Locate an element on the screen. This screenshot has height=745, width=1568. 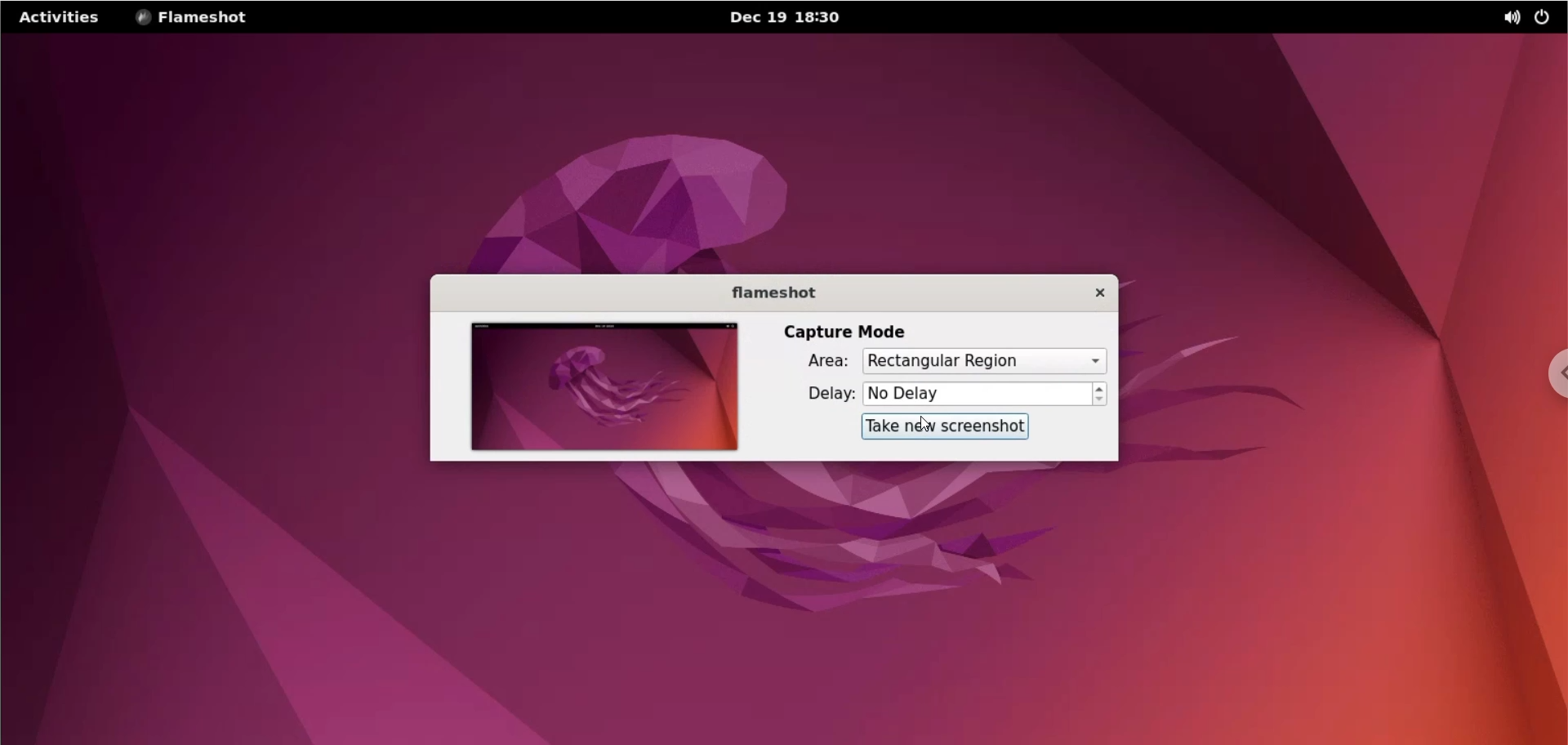
capture area options is located at coordinates (991, 361).